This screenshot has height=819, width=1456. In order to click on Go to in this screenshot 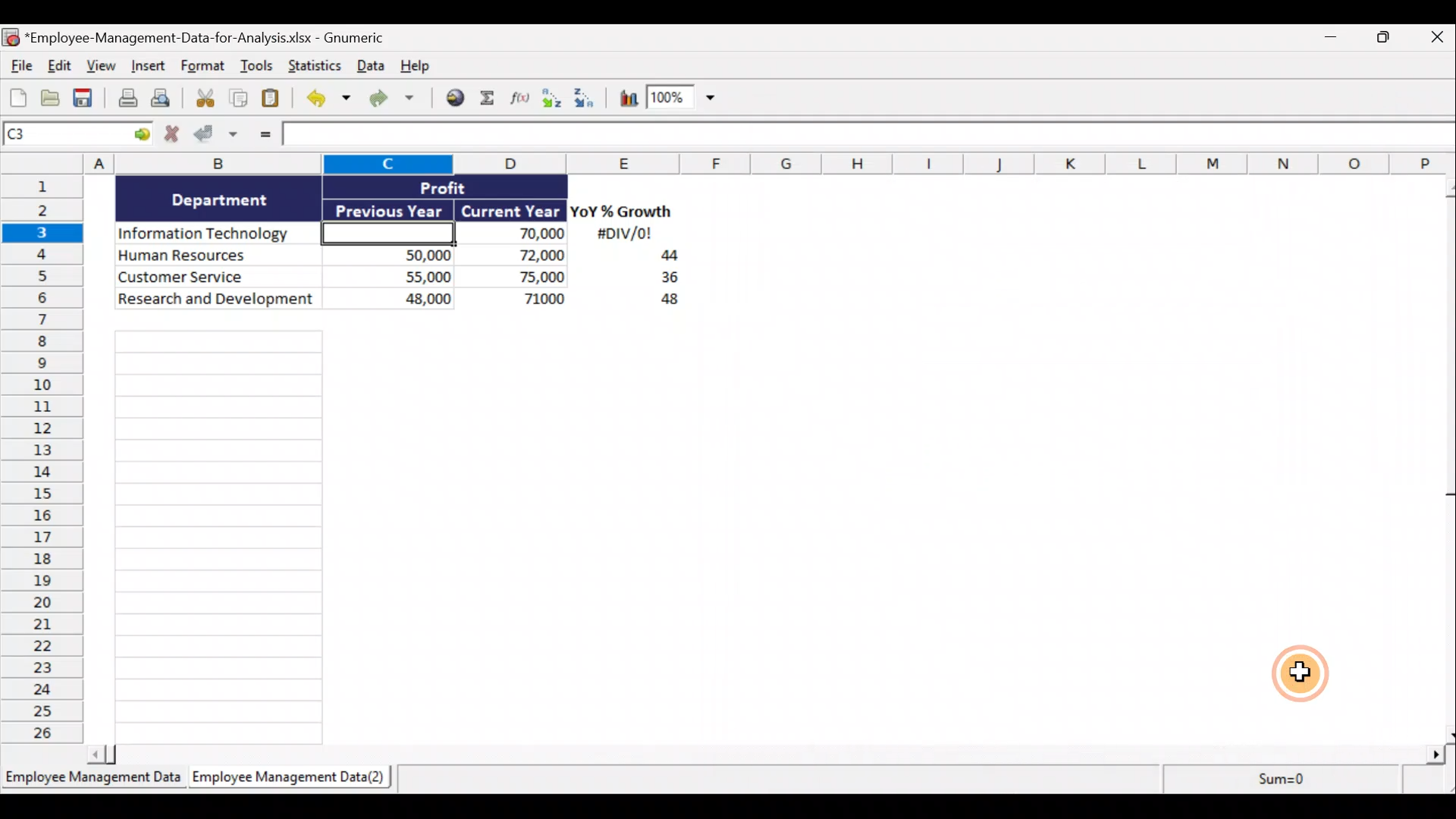, I will do `click(142, 135)`.